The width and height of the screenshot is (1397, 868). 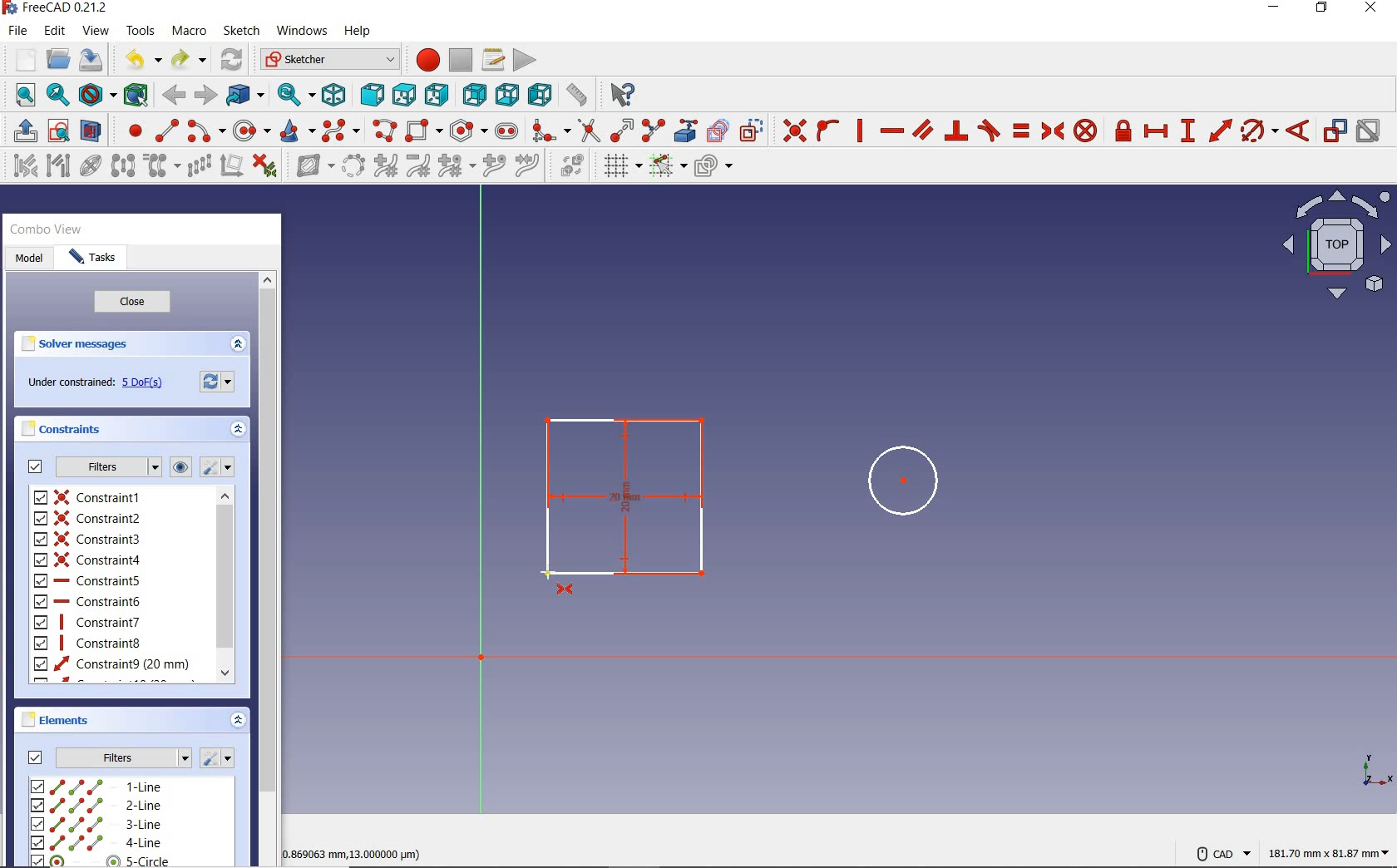 I want to click on fit selection, so click(x=57, y=96).